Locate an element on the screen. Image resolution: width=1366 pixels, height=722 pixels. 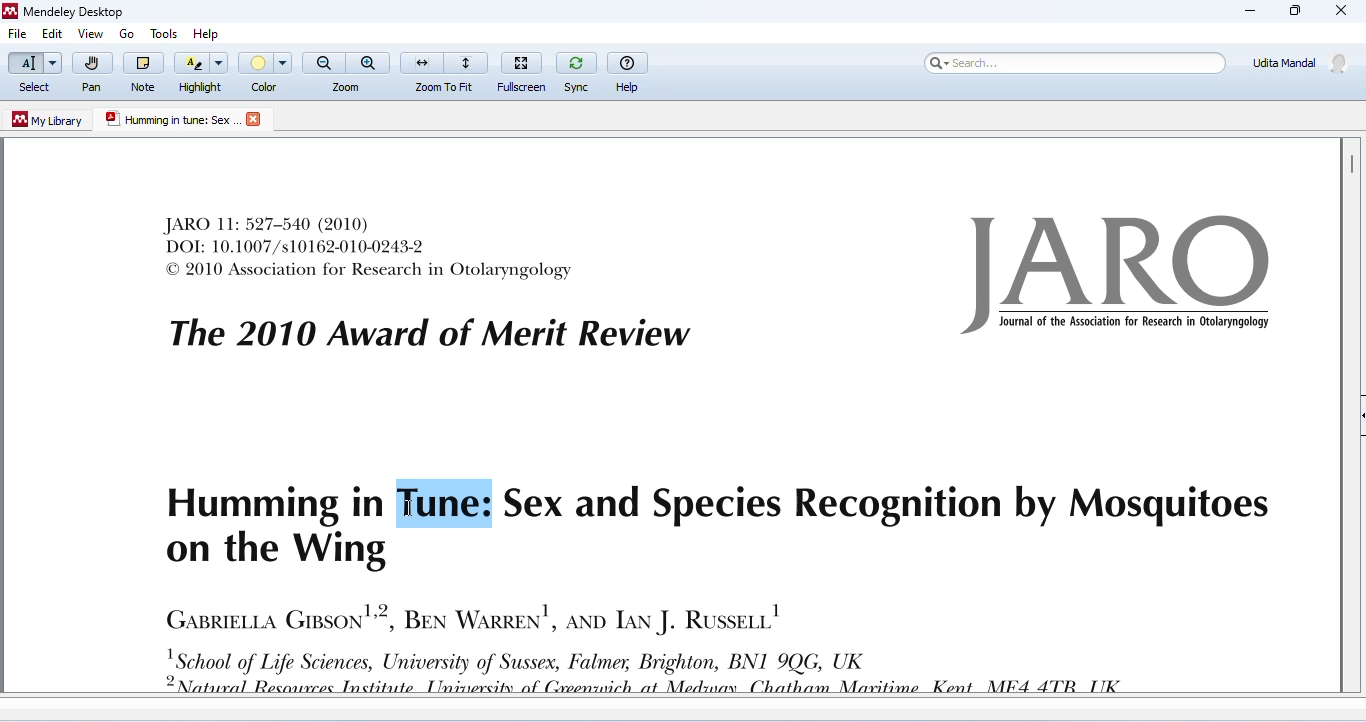
zoom to fit is located at coordinates (445, 70).